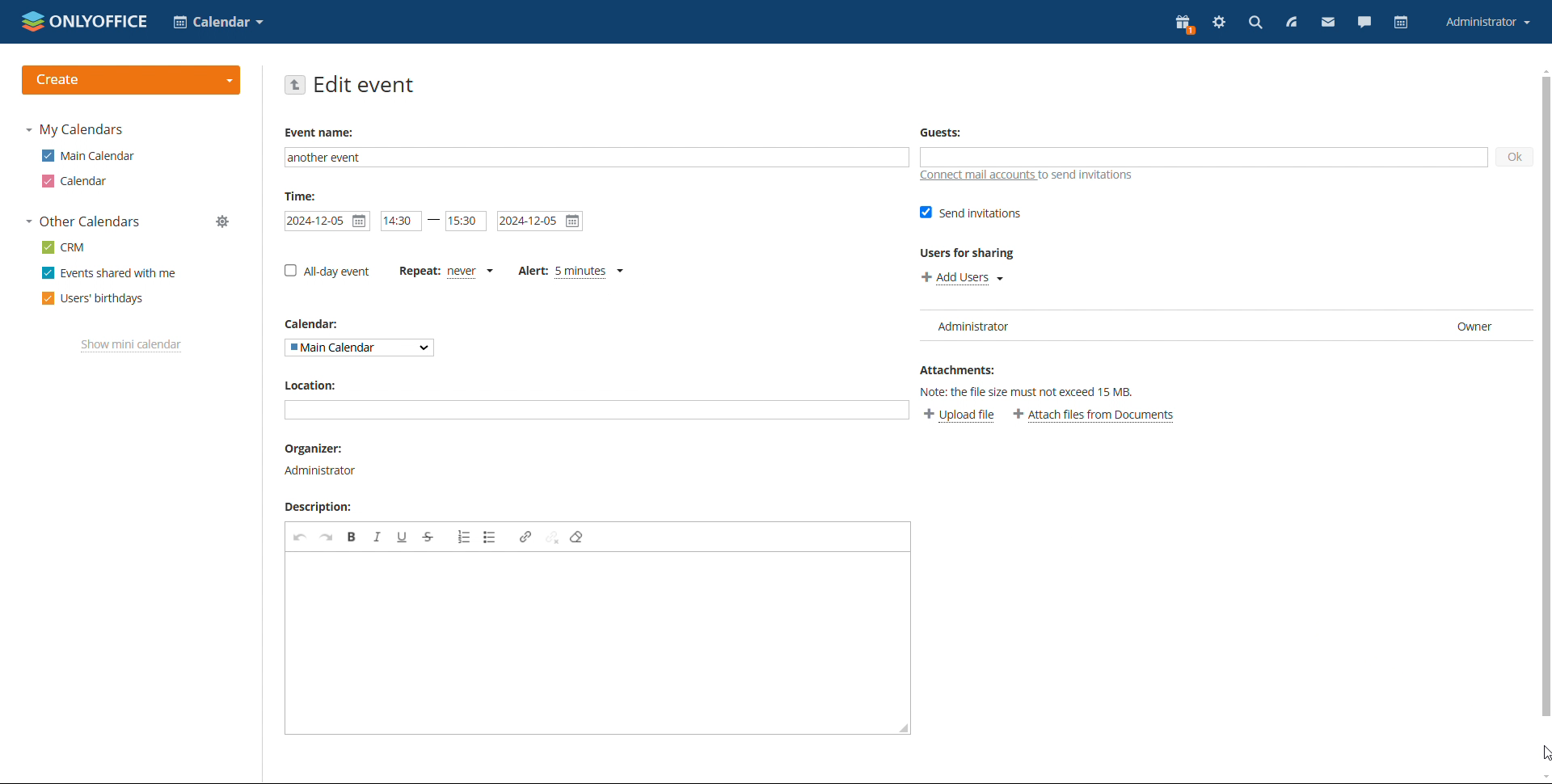 The image size is (1552, 784). Describe the element at coordinates (224, 221) in the screenshot. I see `manage` at that location.